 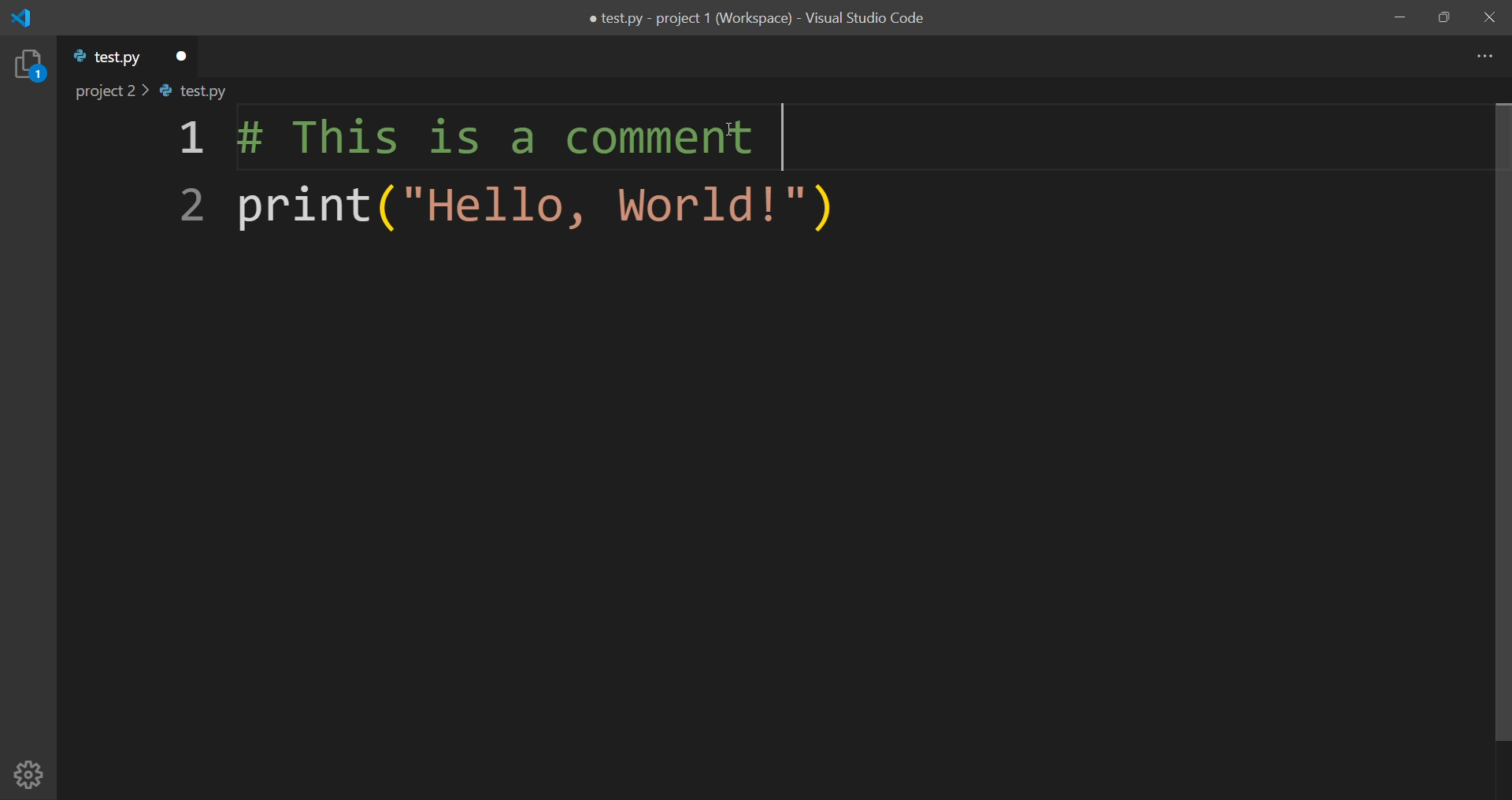 I want to click on opened file, so click(x=104, y=59).